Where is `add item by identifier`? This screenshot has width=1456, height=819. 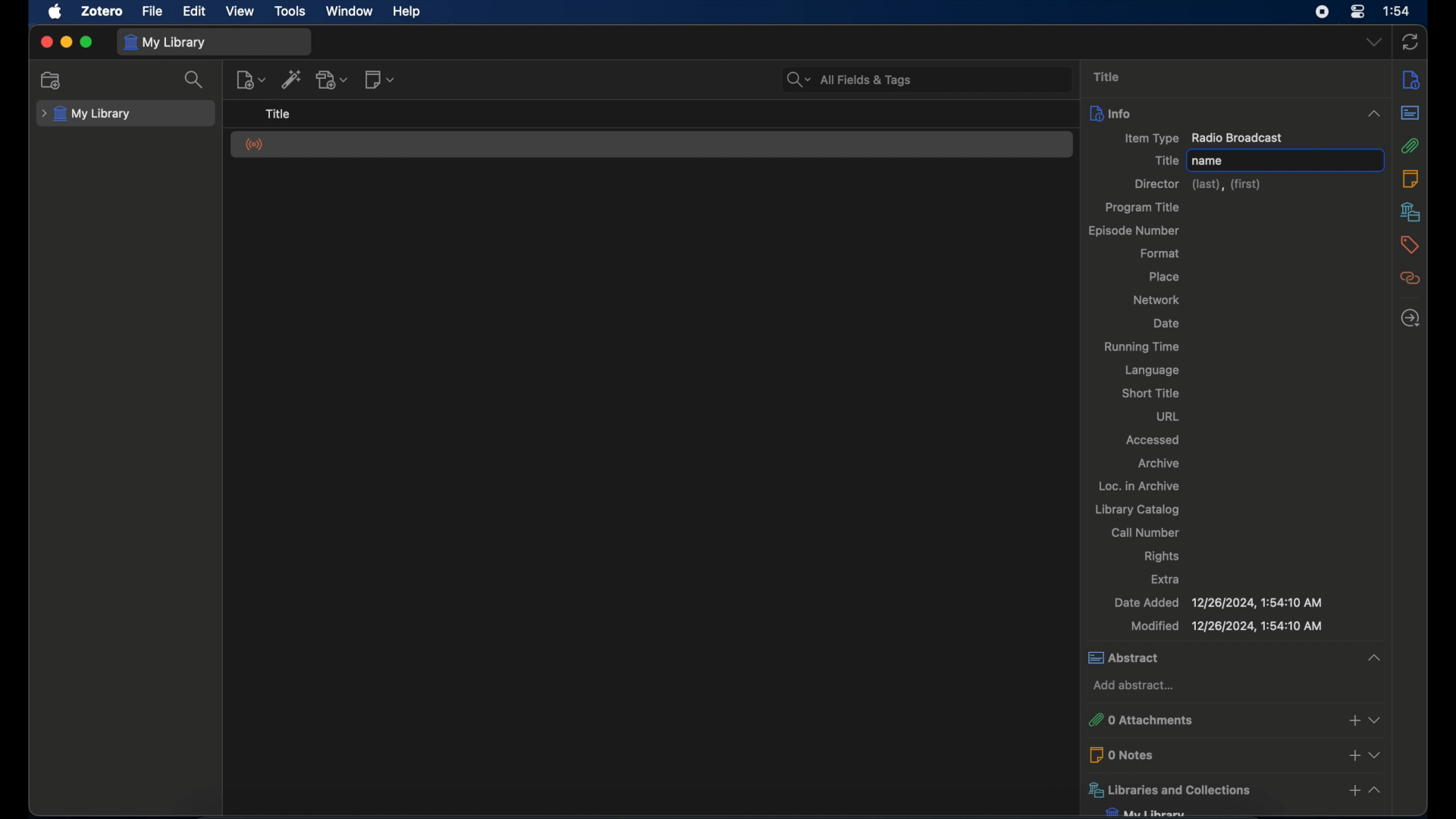 add item by identifier is located at coordinates (293, 79).